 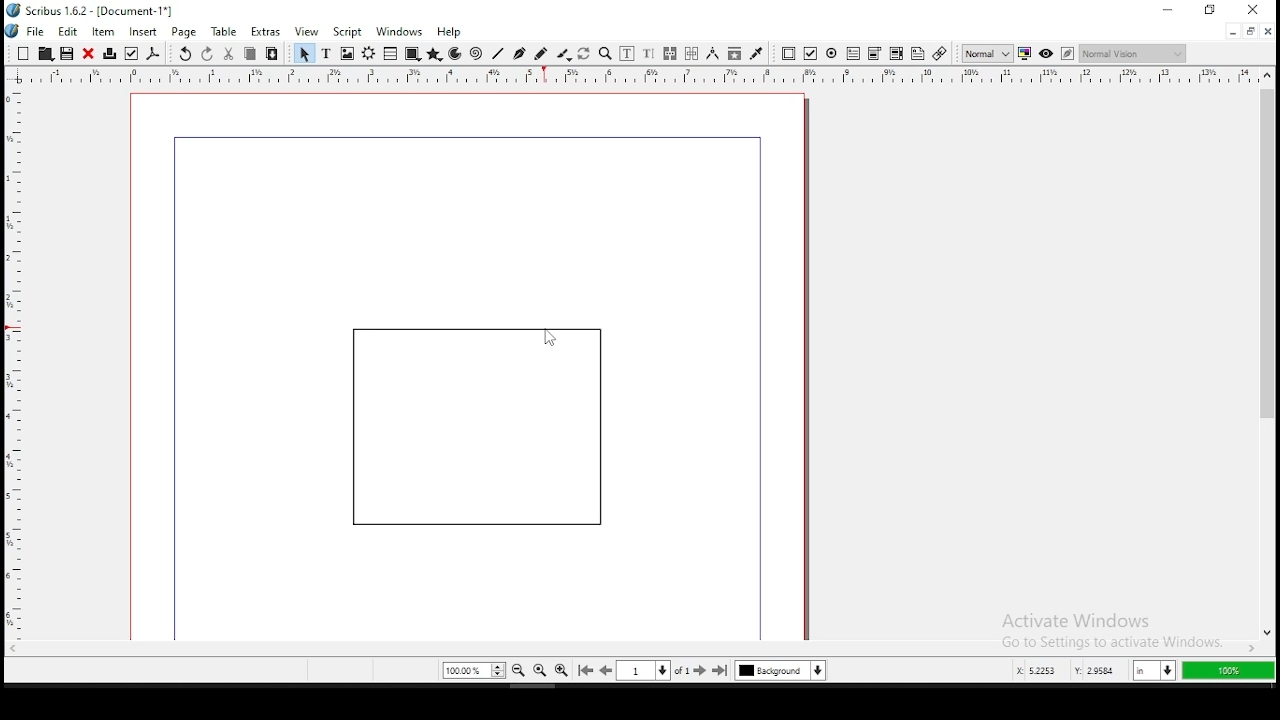 I want to click on spiral, so click(x=476, y=54).